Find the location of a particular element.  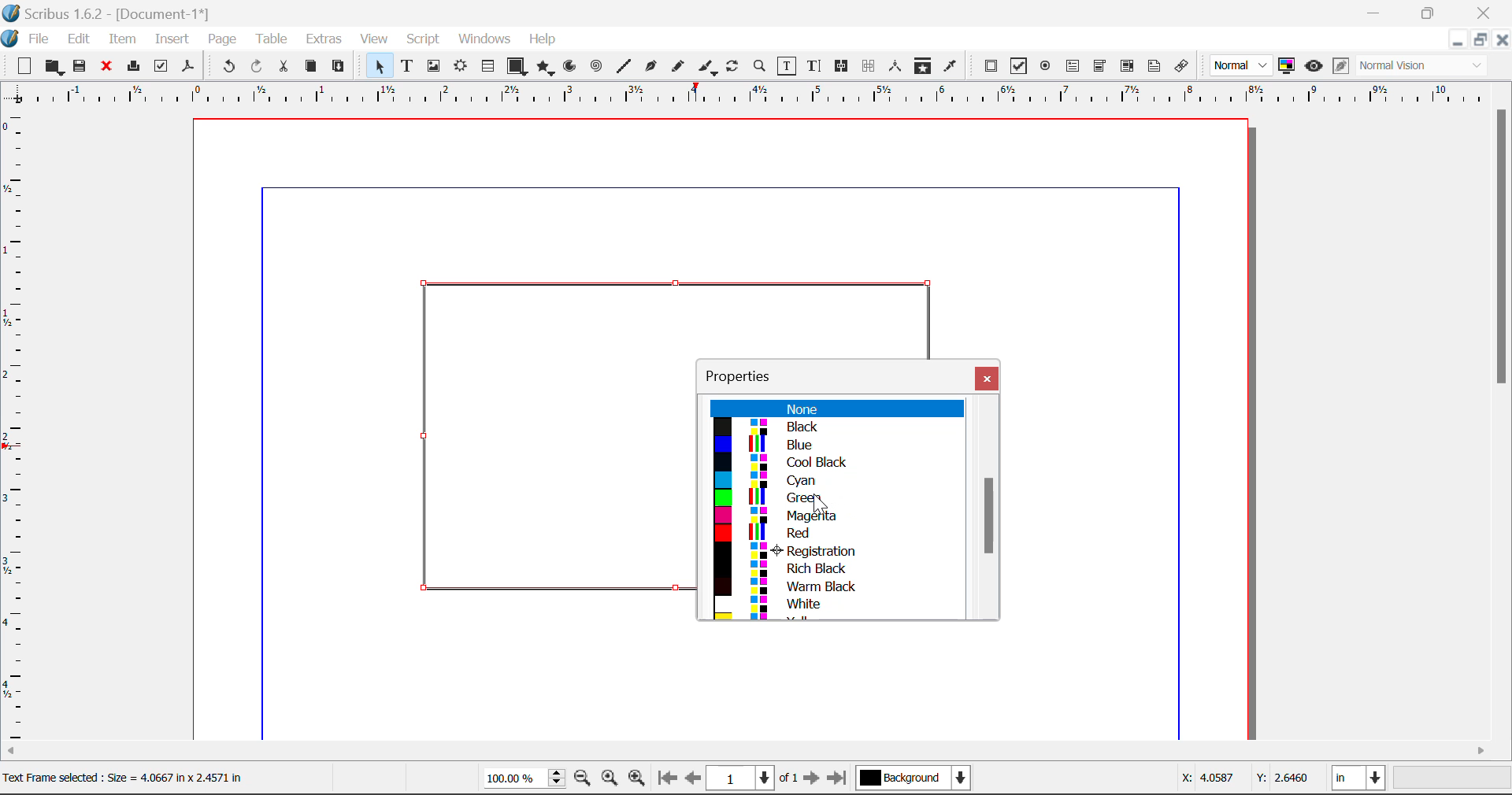

Delink Frames is located at coordinates (870, 66).